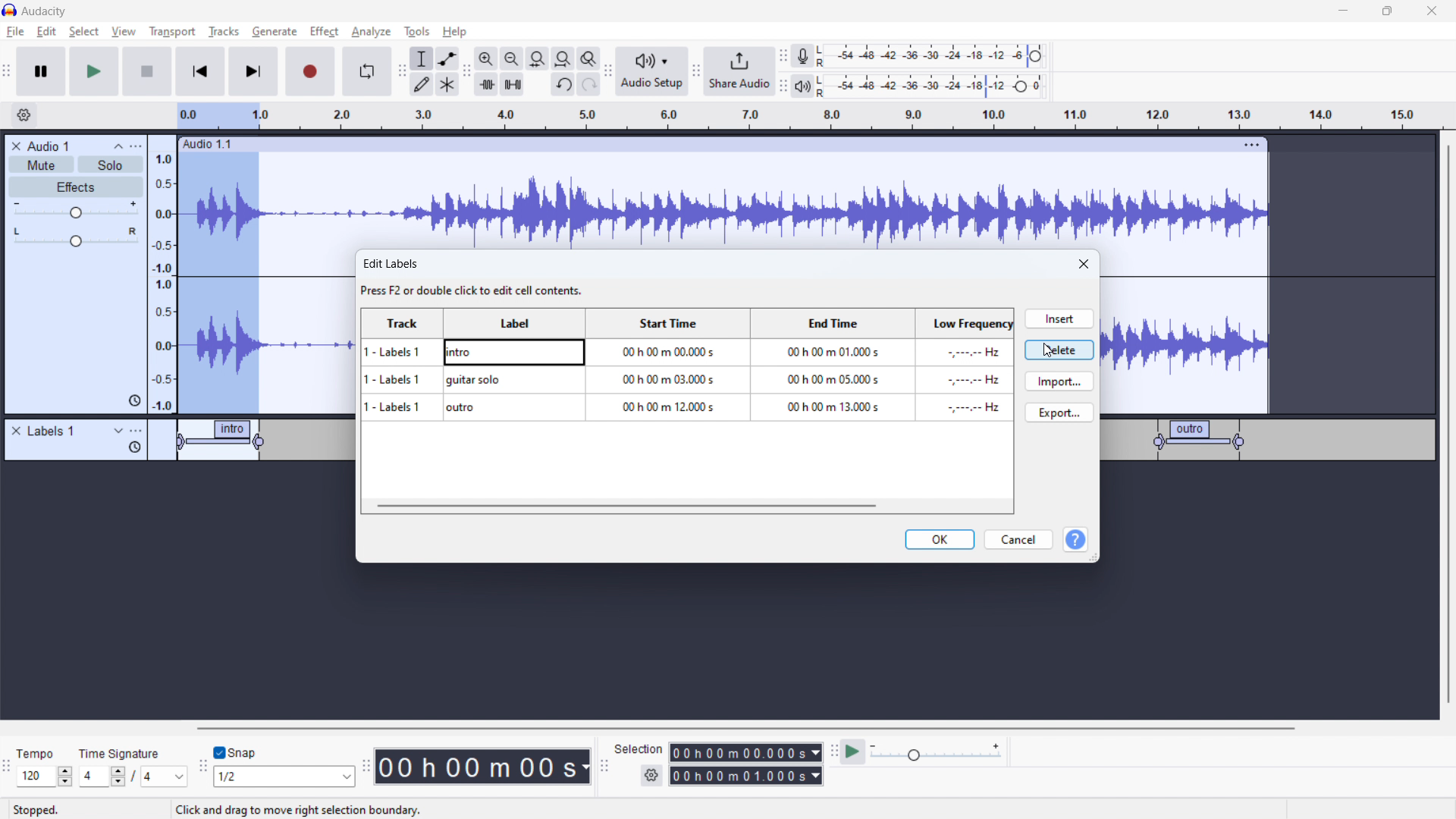 This screenshot has height=819, width=1456. Describe the element at coordinates (45, 808) in the screenshot. I see `stopped.` at that location.